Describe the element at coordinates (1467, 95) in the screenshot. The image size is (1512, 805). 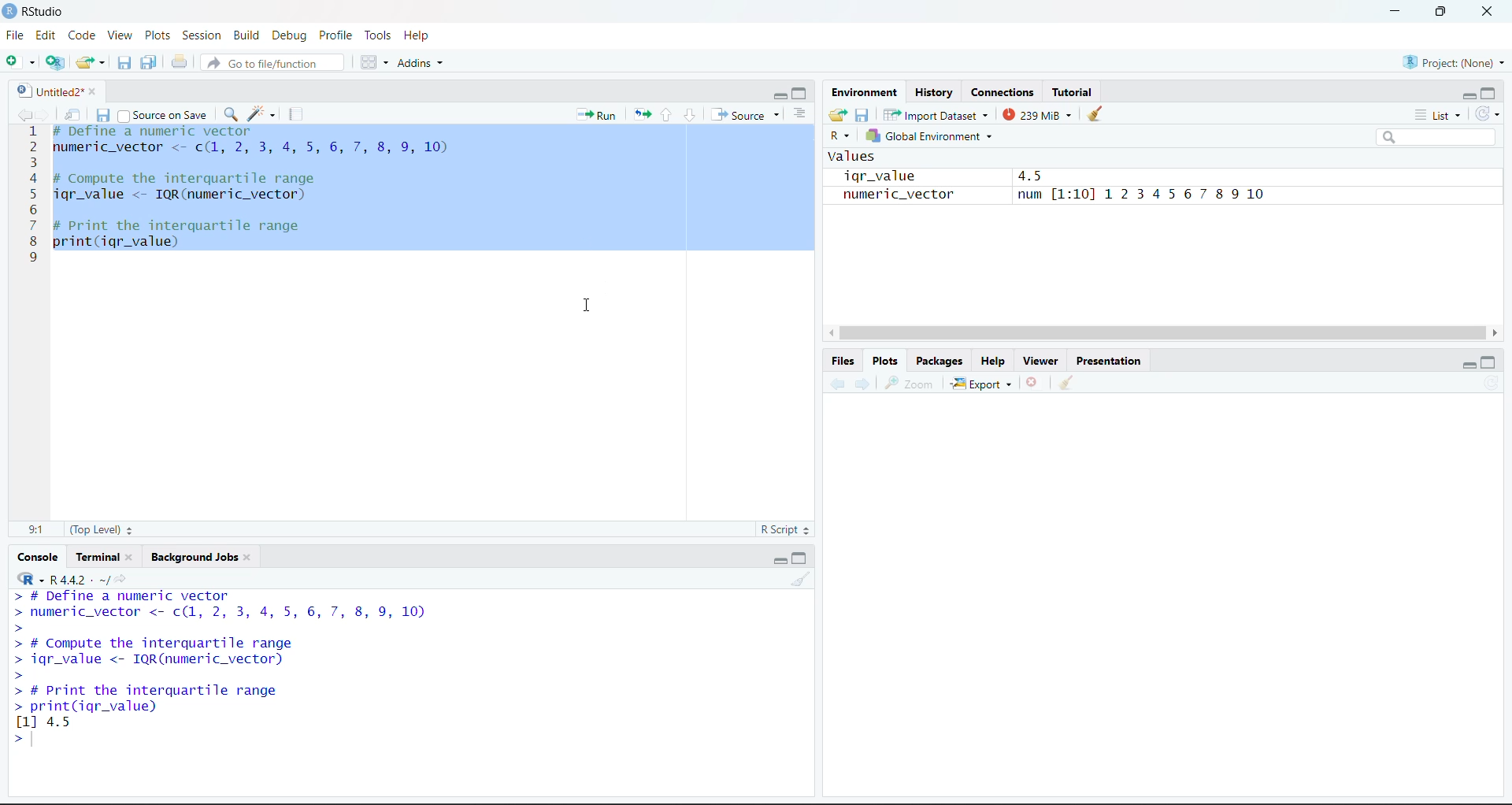
I see `Minimize` at that location.